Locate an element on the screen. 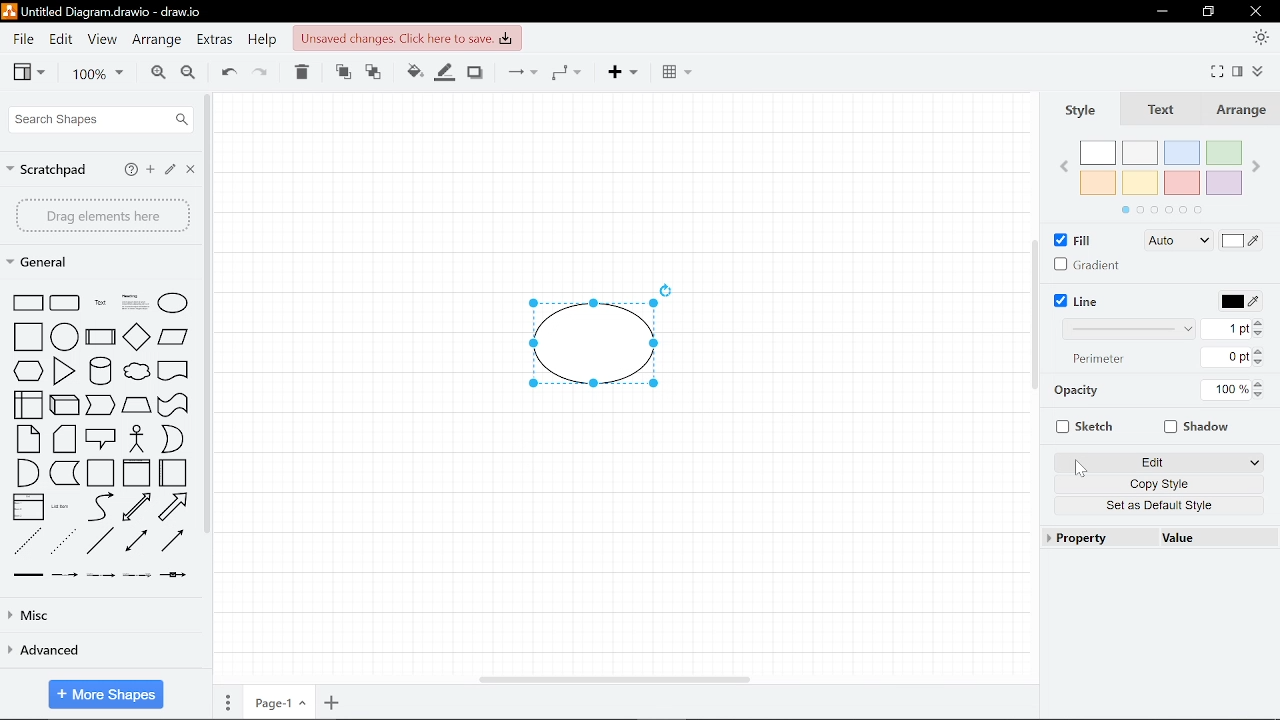  View is located at coordinates (29, 73).